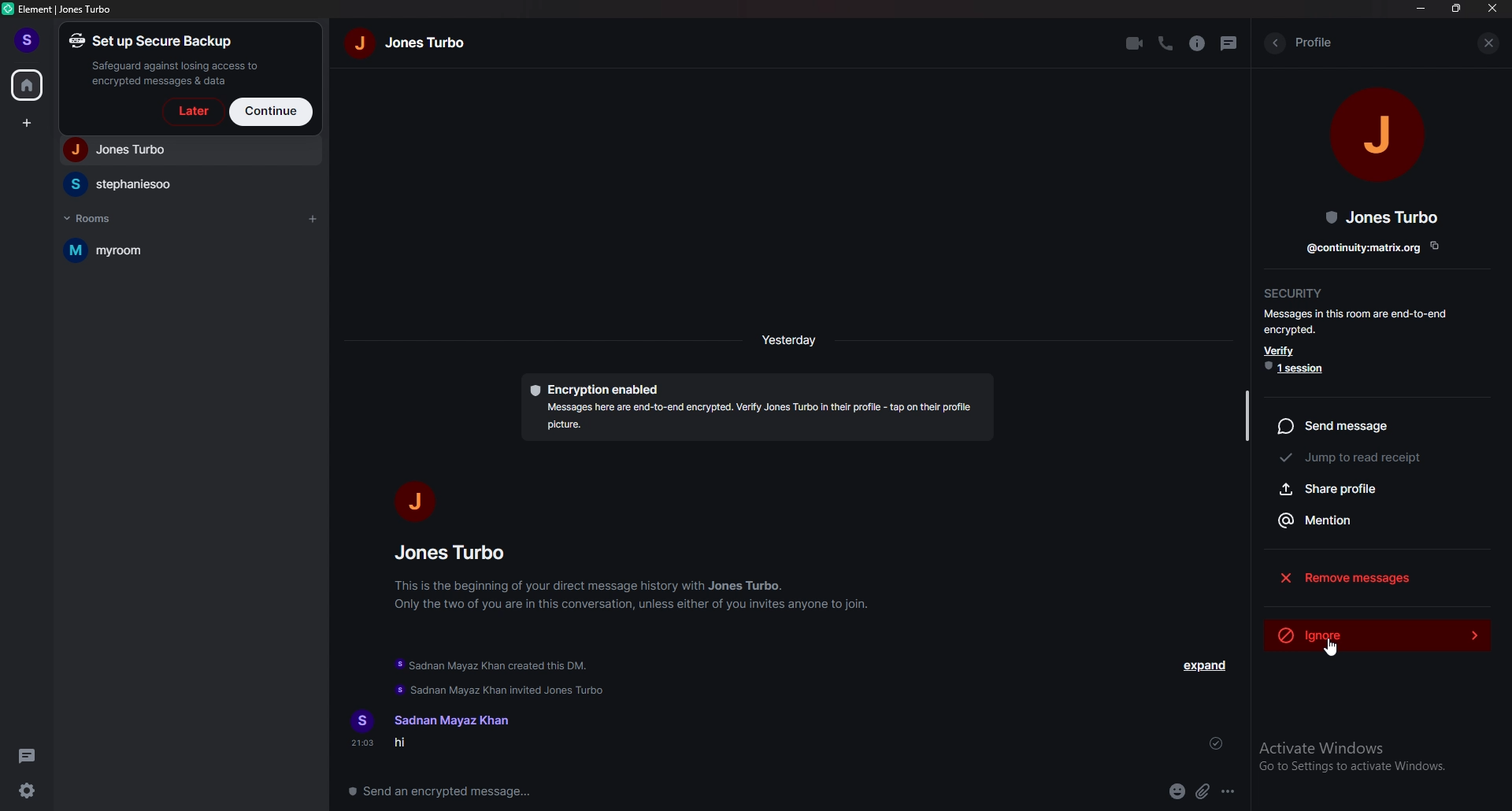 This screenshot has width=1512, height=811. Describe the element at coordinates (95, 217) in the screenshot. I see `rooms` at that location.